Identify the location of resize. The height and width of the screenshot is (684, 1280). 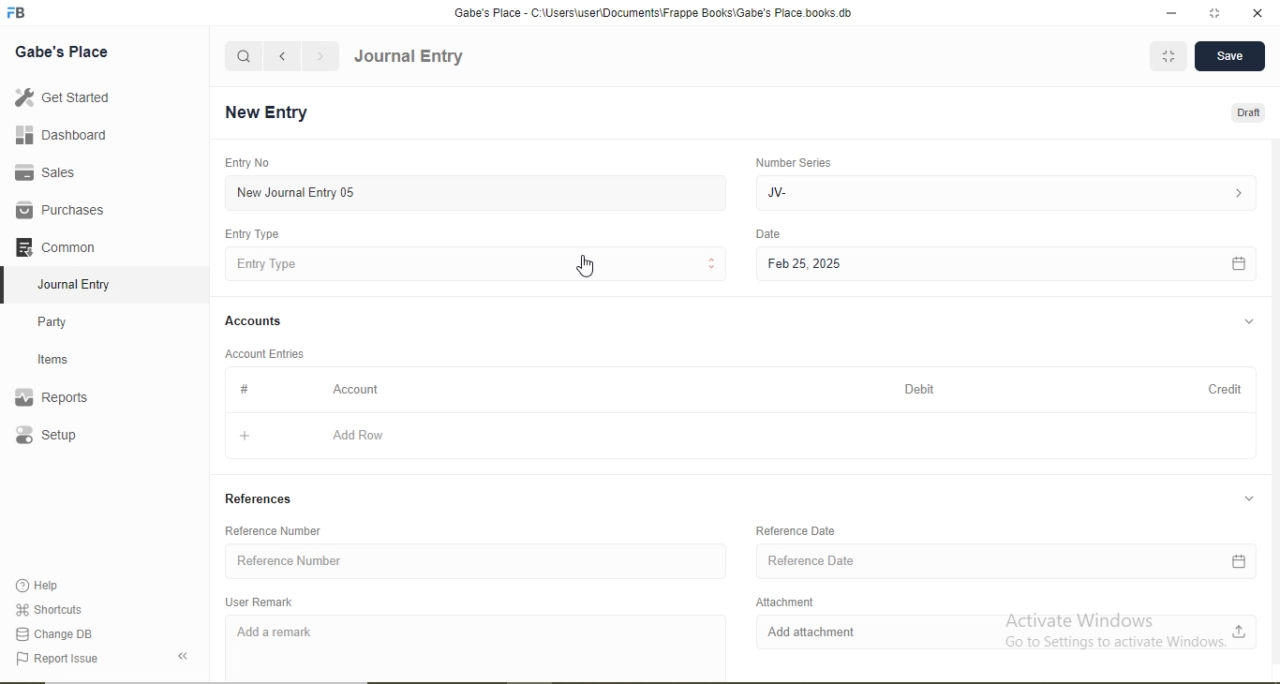
(1212, 13).